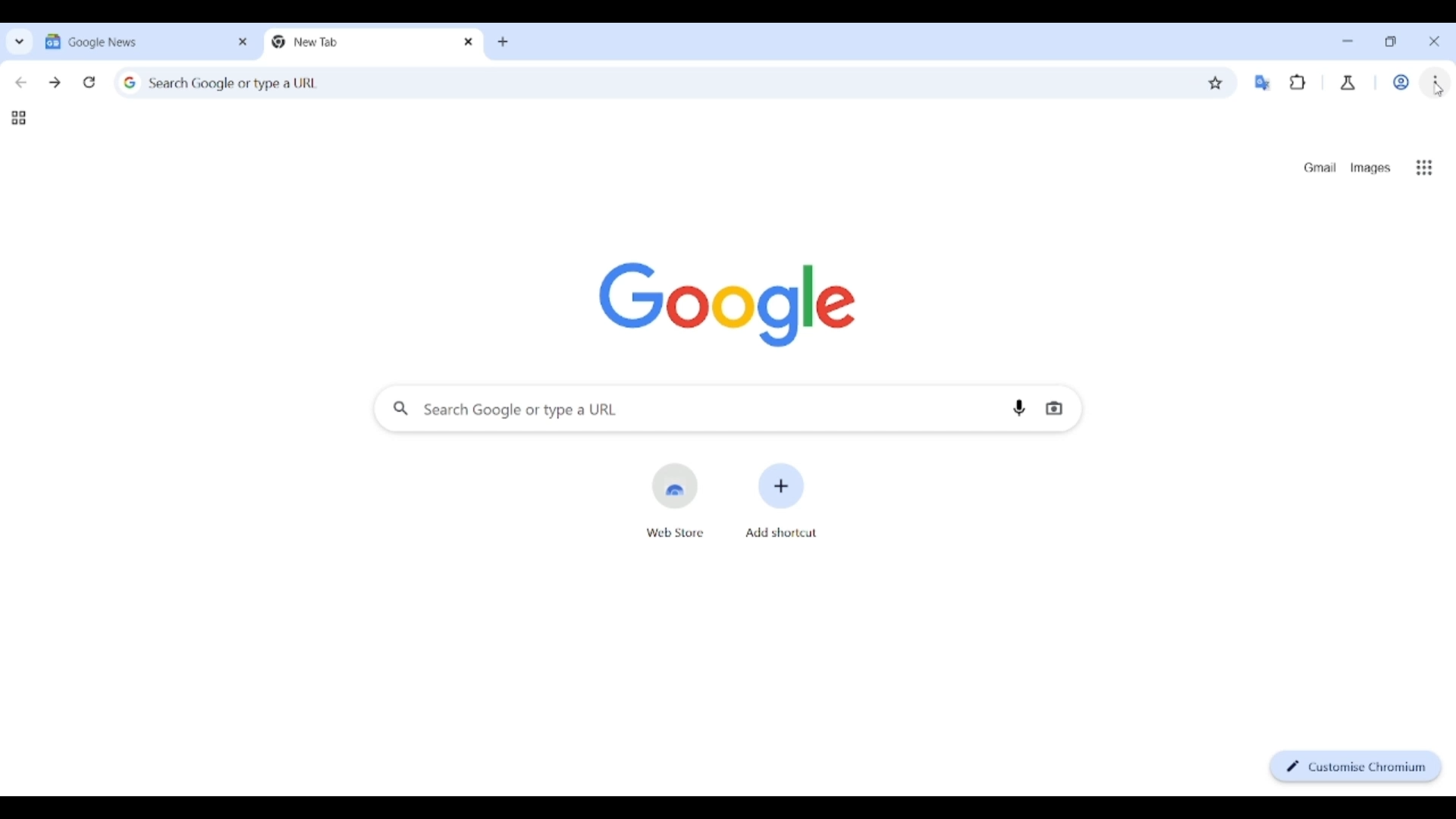  Describe the element at coordinates (18, 118) in the screenshot. I see `Tab groups` at that location.